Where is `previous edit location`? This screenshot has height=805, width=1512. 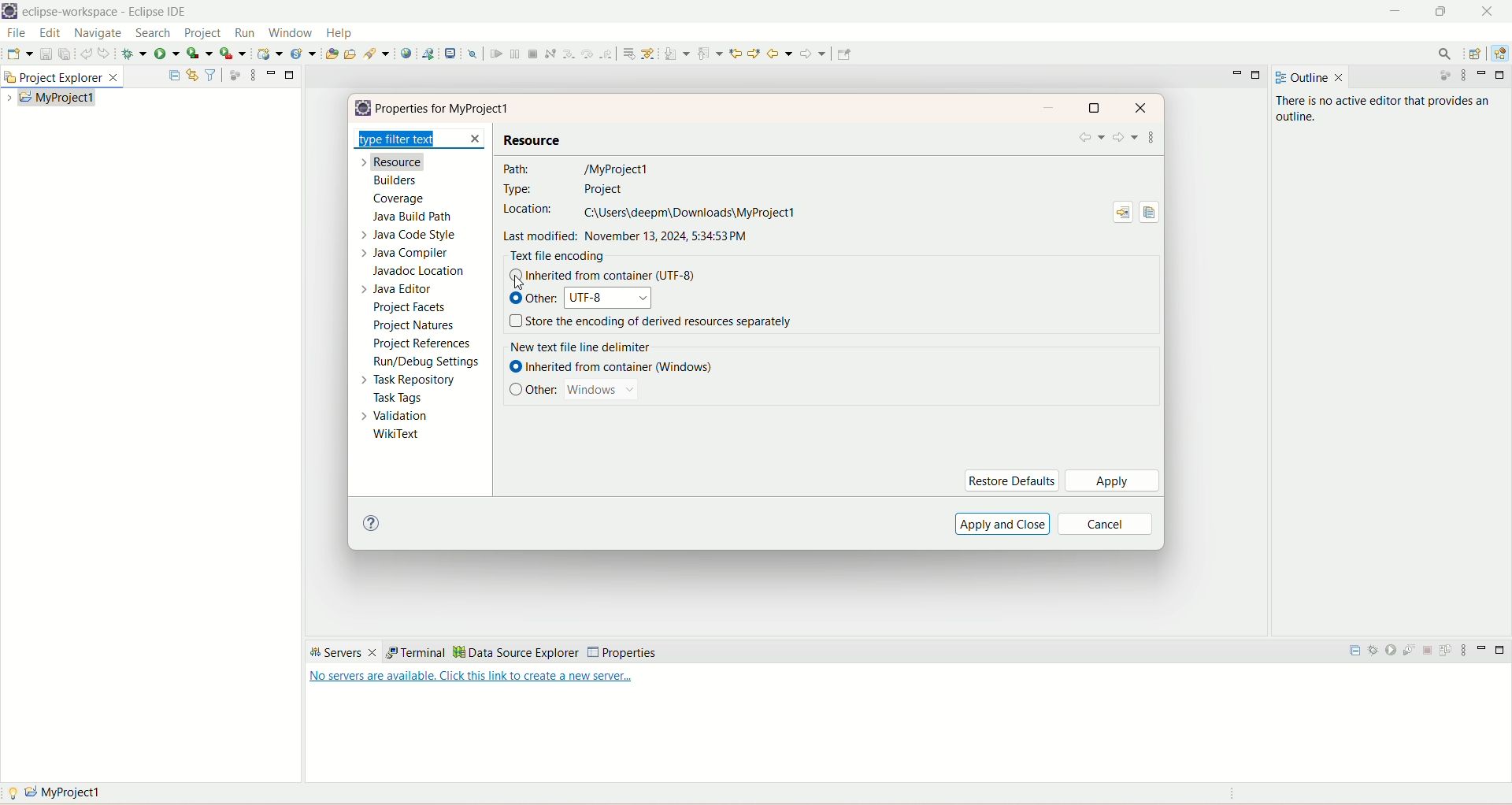 previous edit location is located at coordinates (754, 54).